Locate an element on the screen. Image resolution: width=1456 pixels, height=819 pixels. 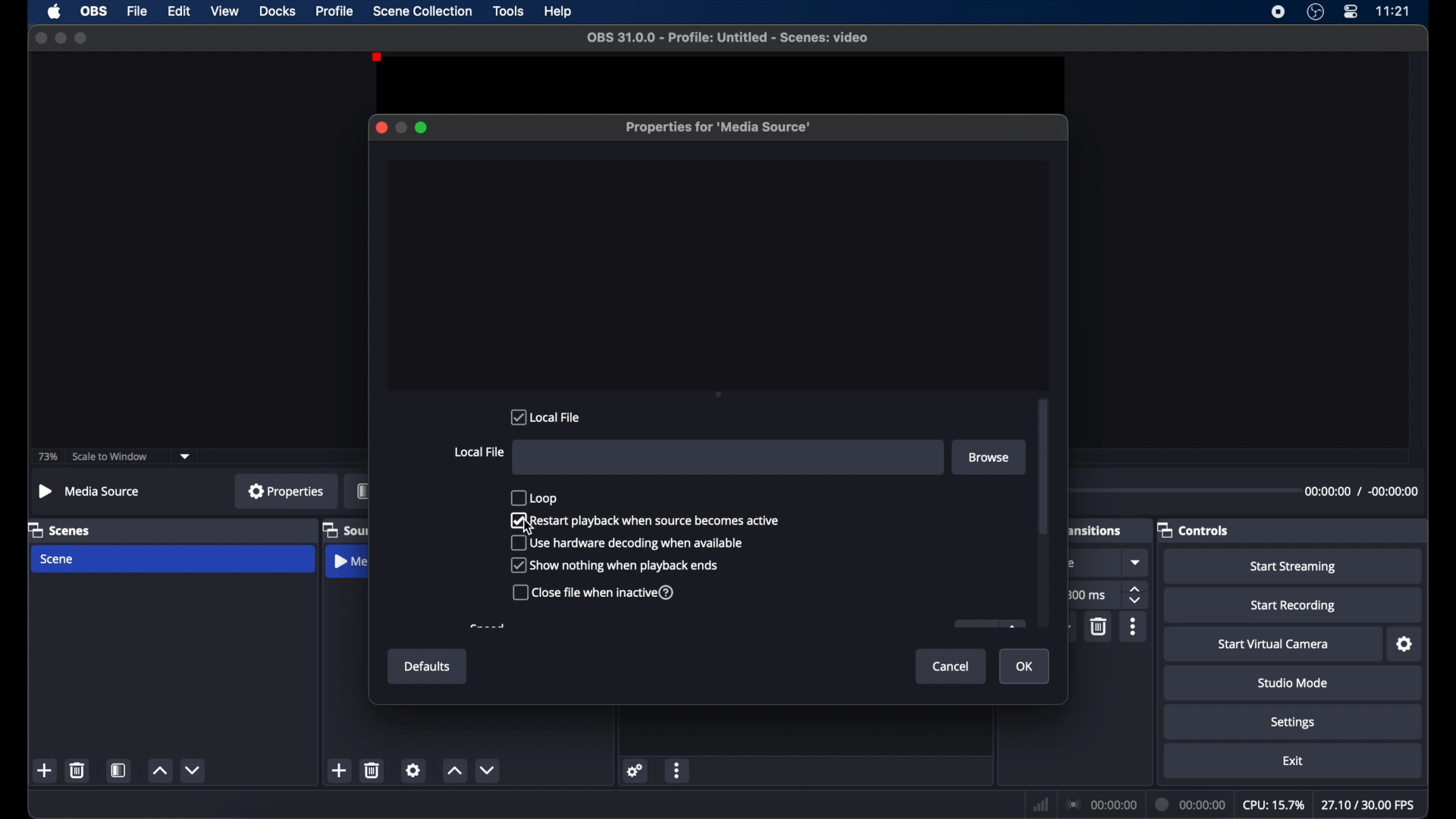
obs studio is located at coordinates (1316, 12).